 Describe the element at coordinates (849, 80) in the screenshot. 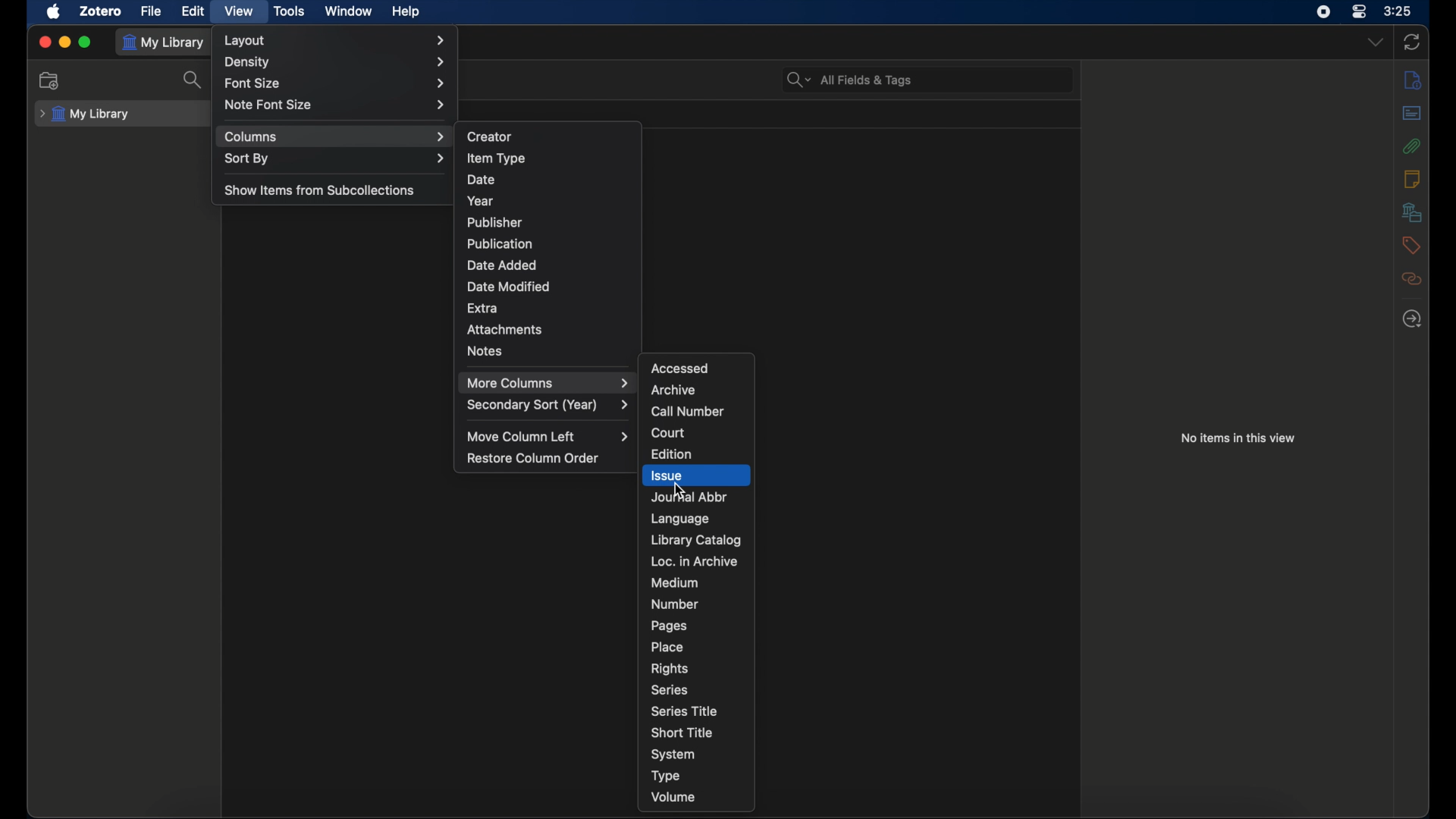

I see `all fields & tags` at that location.